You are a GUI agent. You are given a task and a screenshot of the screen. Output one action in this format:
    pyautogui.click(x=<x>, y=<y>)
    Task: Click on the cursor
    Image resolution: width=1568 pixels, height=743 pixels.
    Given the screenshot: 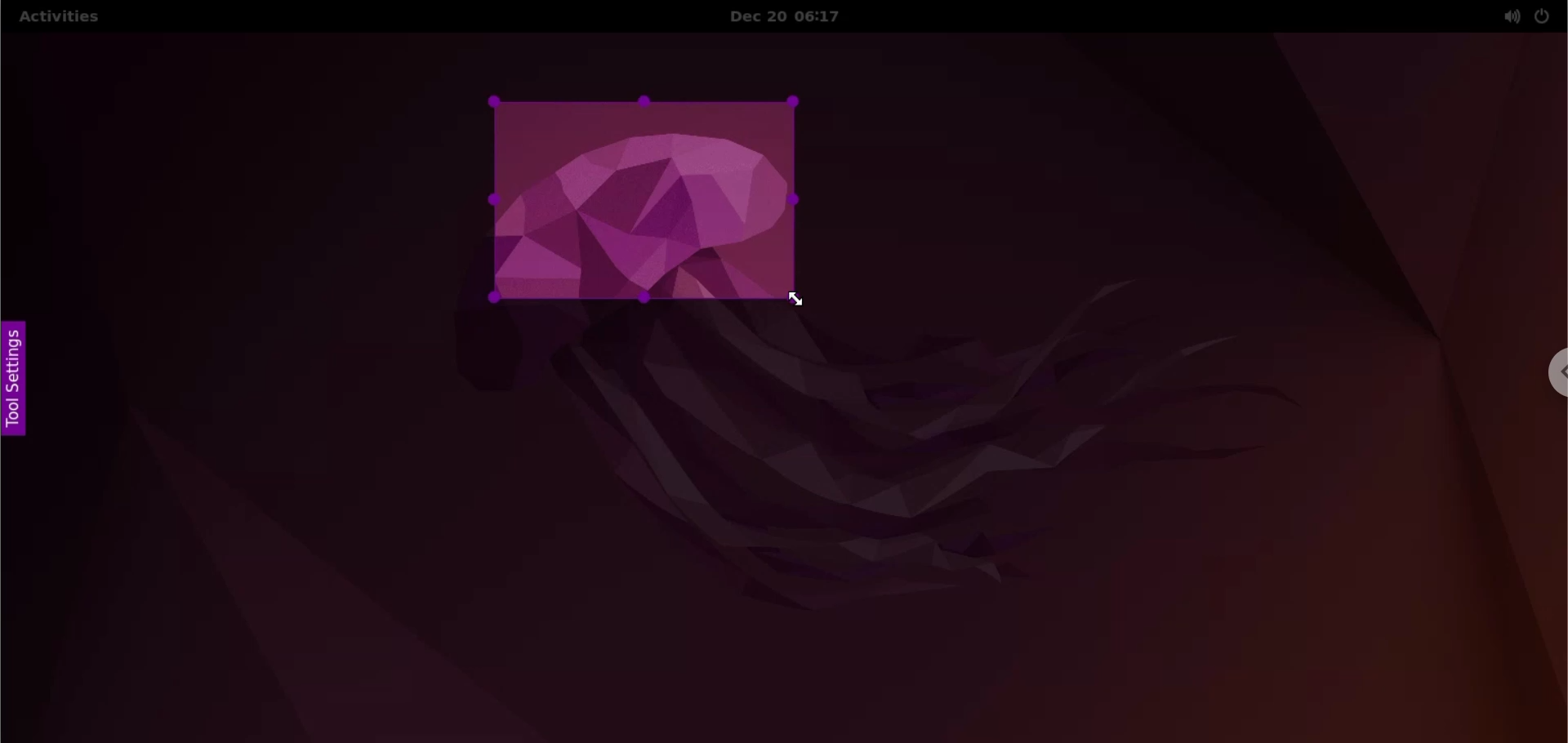 What is the action you would take?
    pyautogui.click(x=808, y=305)
    